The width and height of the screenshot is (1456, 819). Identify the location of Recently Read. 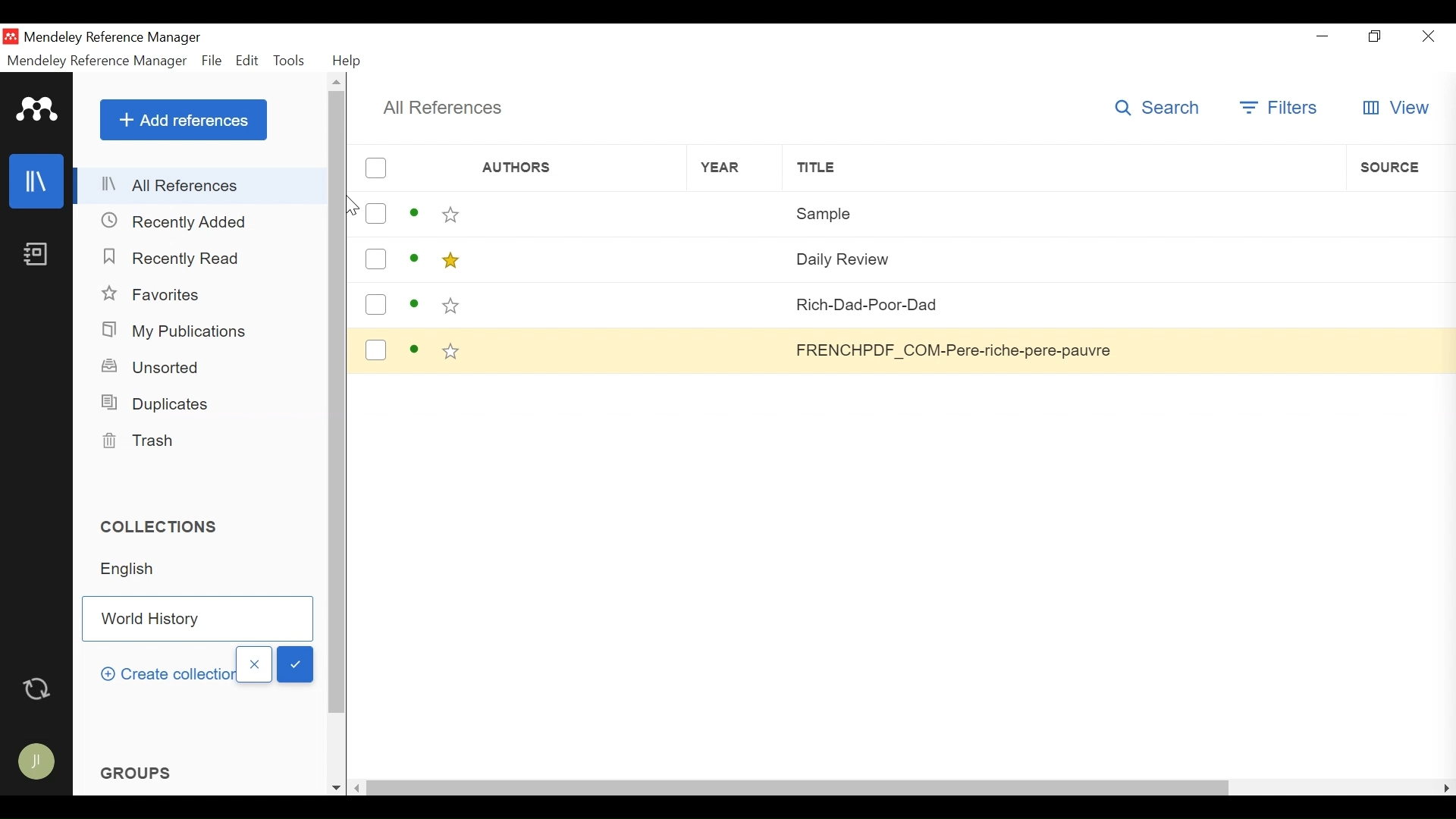
(172, 256).